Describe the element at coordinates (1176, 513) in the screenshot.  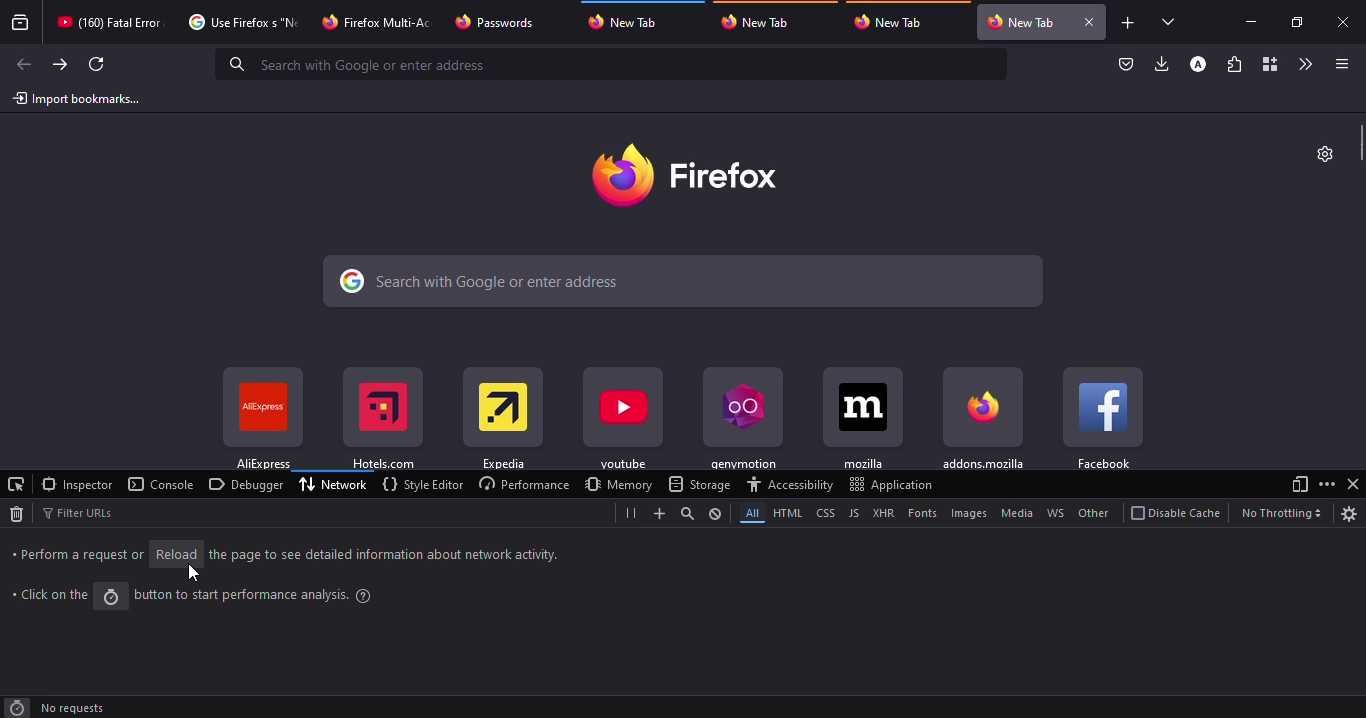
I see `disable cache` at that location.